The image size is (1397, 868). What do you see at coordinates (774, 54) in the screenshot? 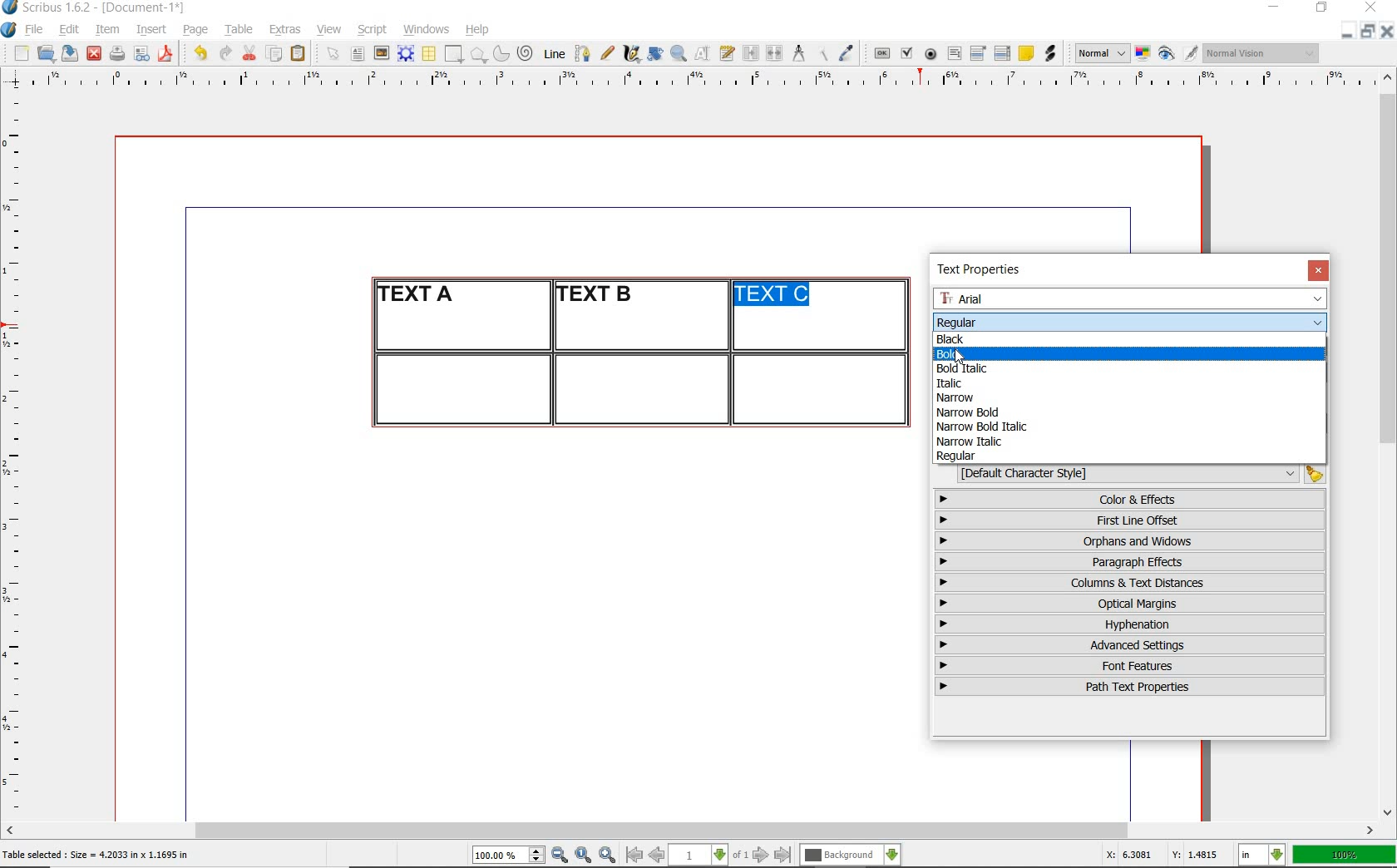
I see `unlink text frames` at bounding box center [774, 54].